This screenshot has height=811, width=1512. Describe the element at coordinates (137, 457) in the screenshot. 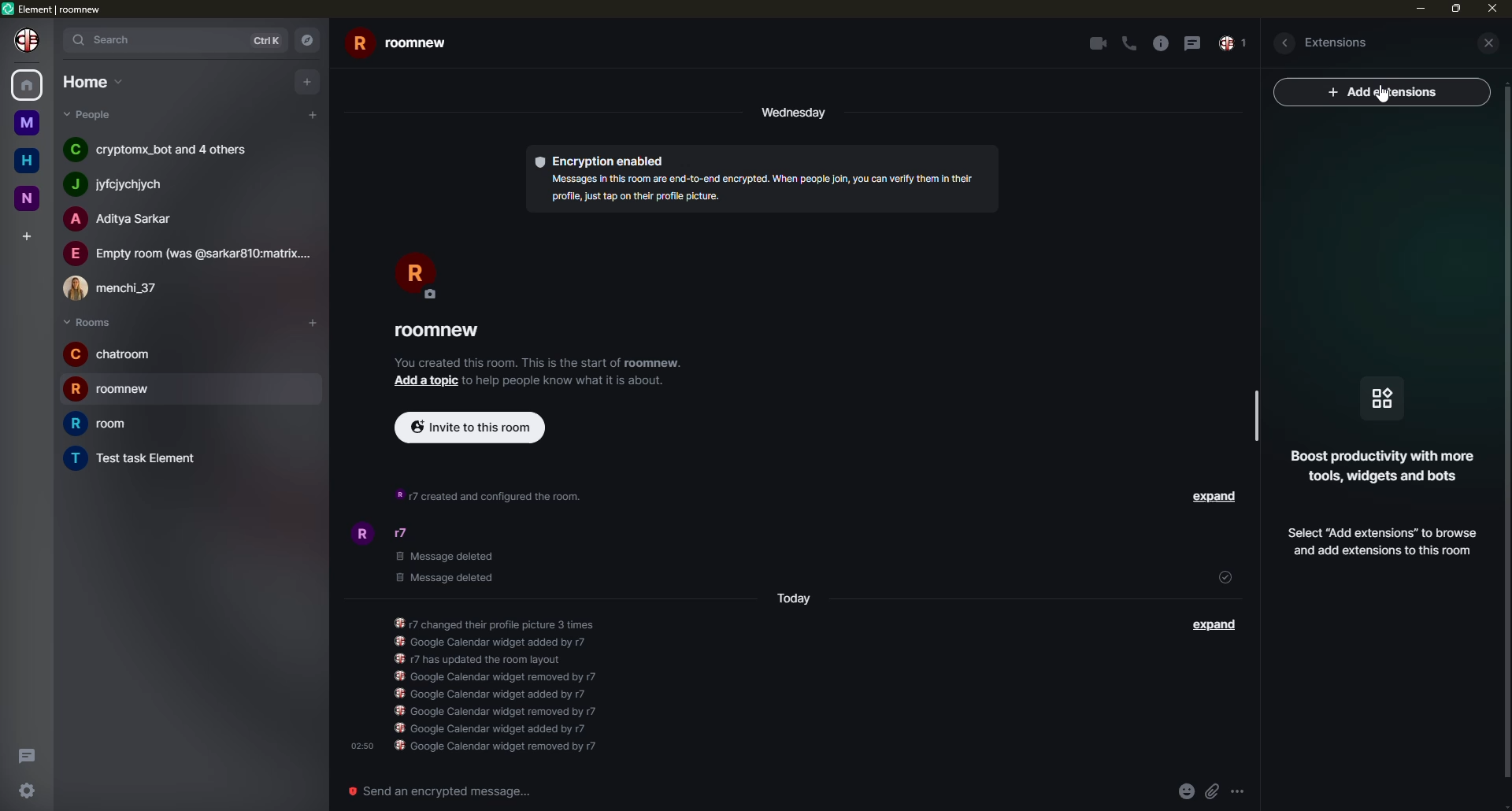

I see `room` at that location.